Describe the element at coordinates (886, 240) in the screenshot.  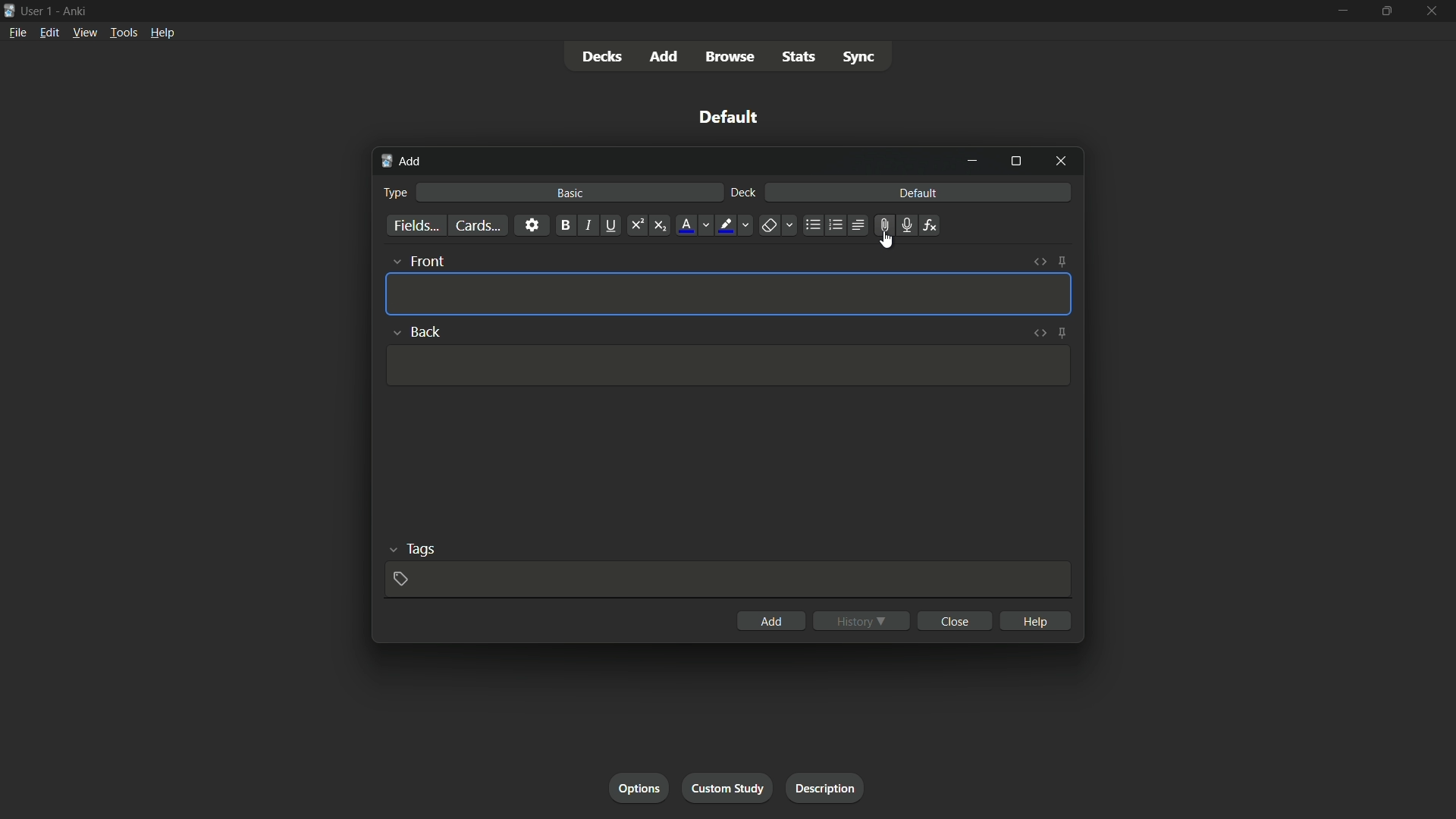
I see `cursor` at that location.